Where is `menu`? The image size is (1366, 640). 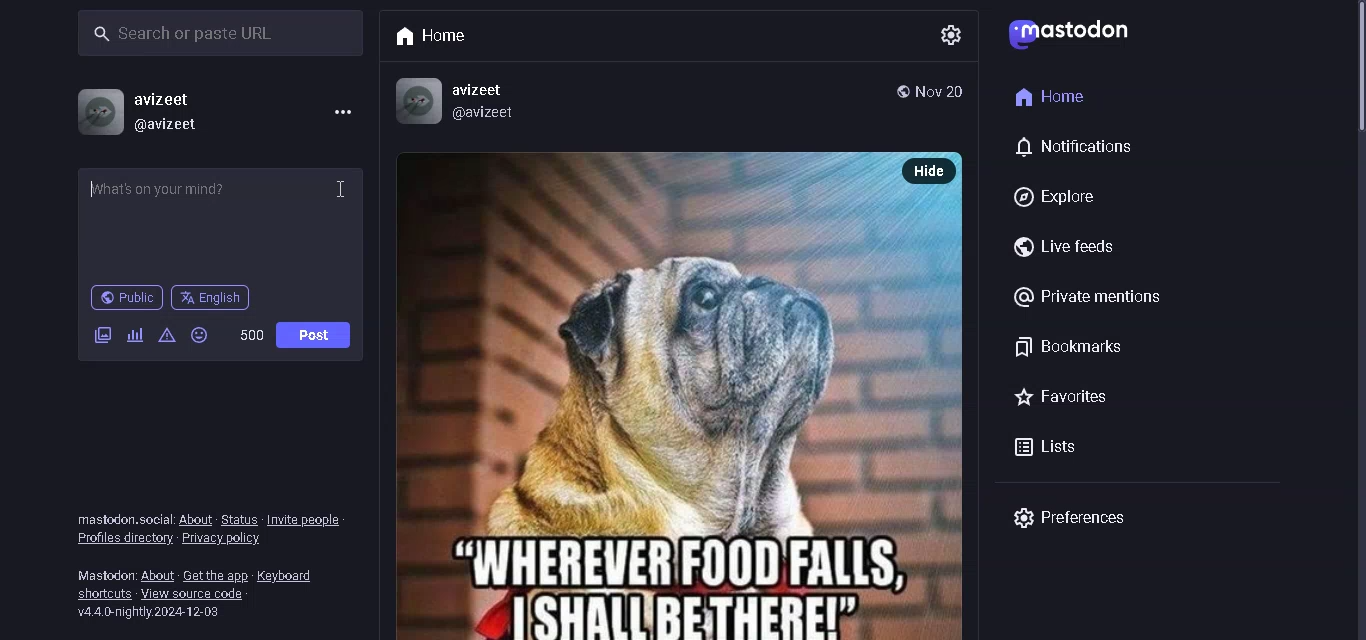 menu is located at coordinates (337, 110).